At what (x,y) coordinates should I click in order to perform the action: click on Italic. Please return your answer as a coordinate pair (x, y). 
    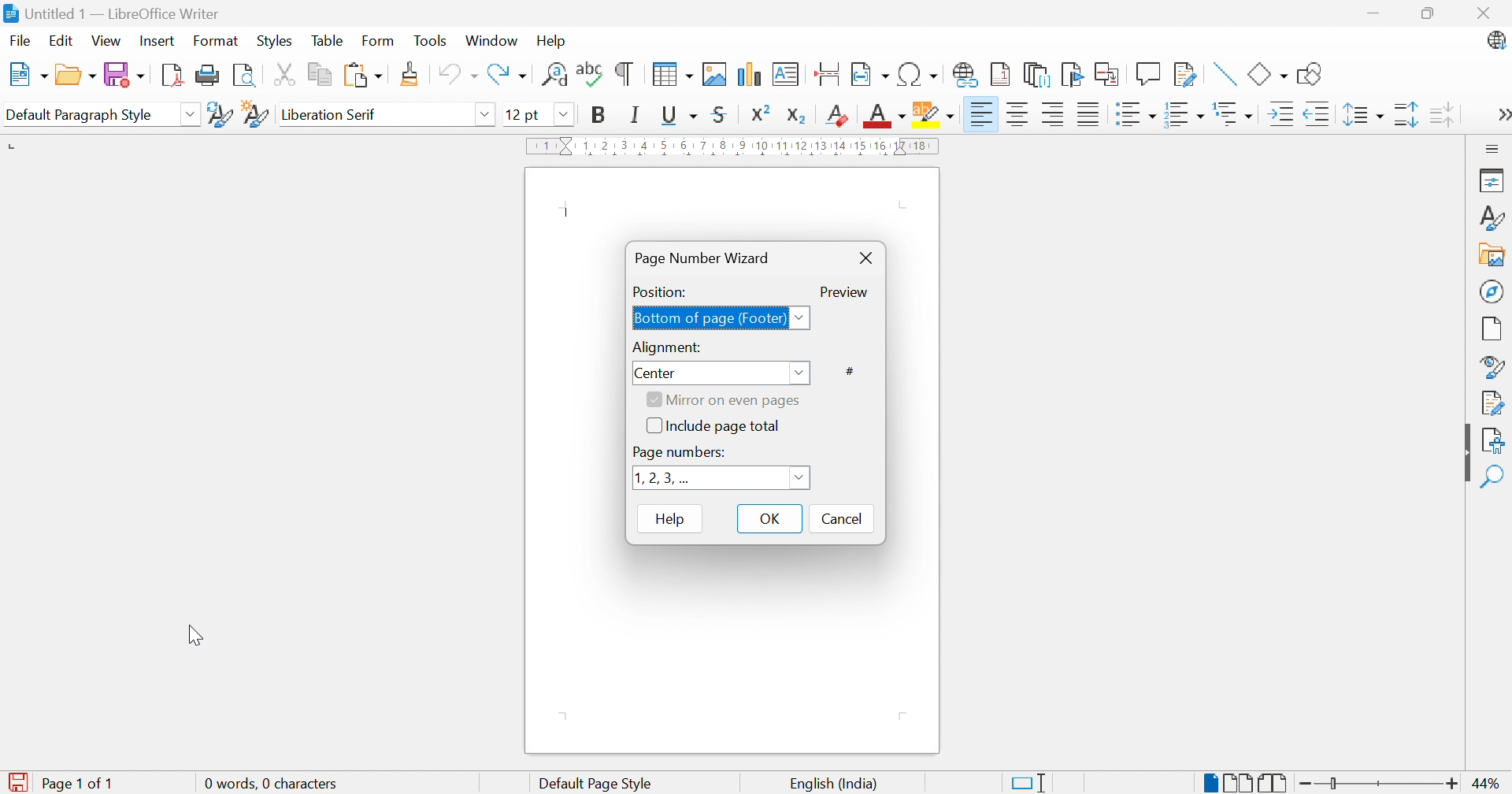
    Looking at the image, I should click on (632, 114).